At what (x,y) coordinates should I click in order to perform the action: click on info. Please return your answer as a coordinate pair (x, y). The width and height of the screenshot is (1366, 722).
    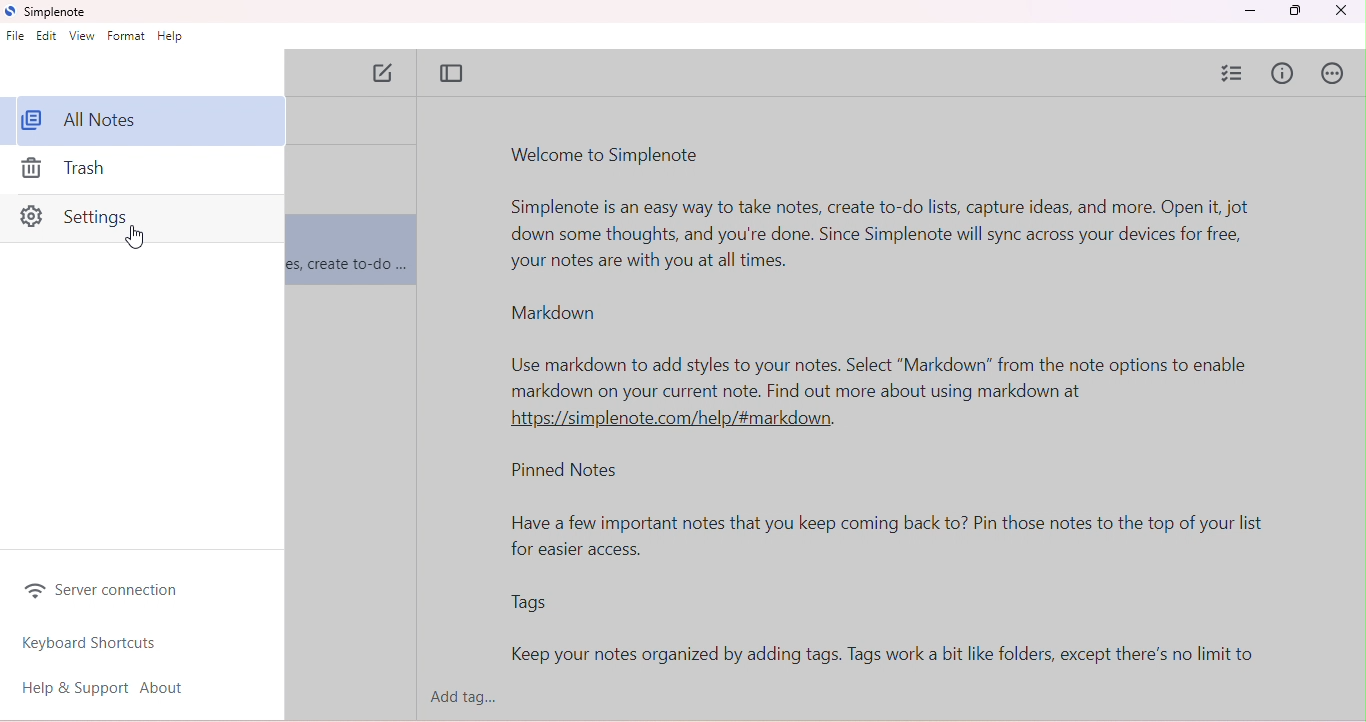
    Looking at the image, I should click on (1284, 75).